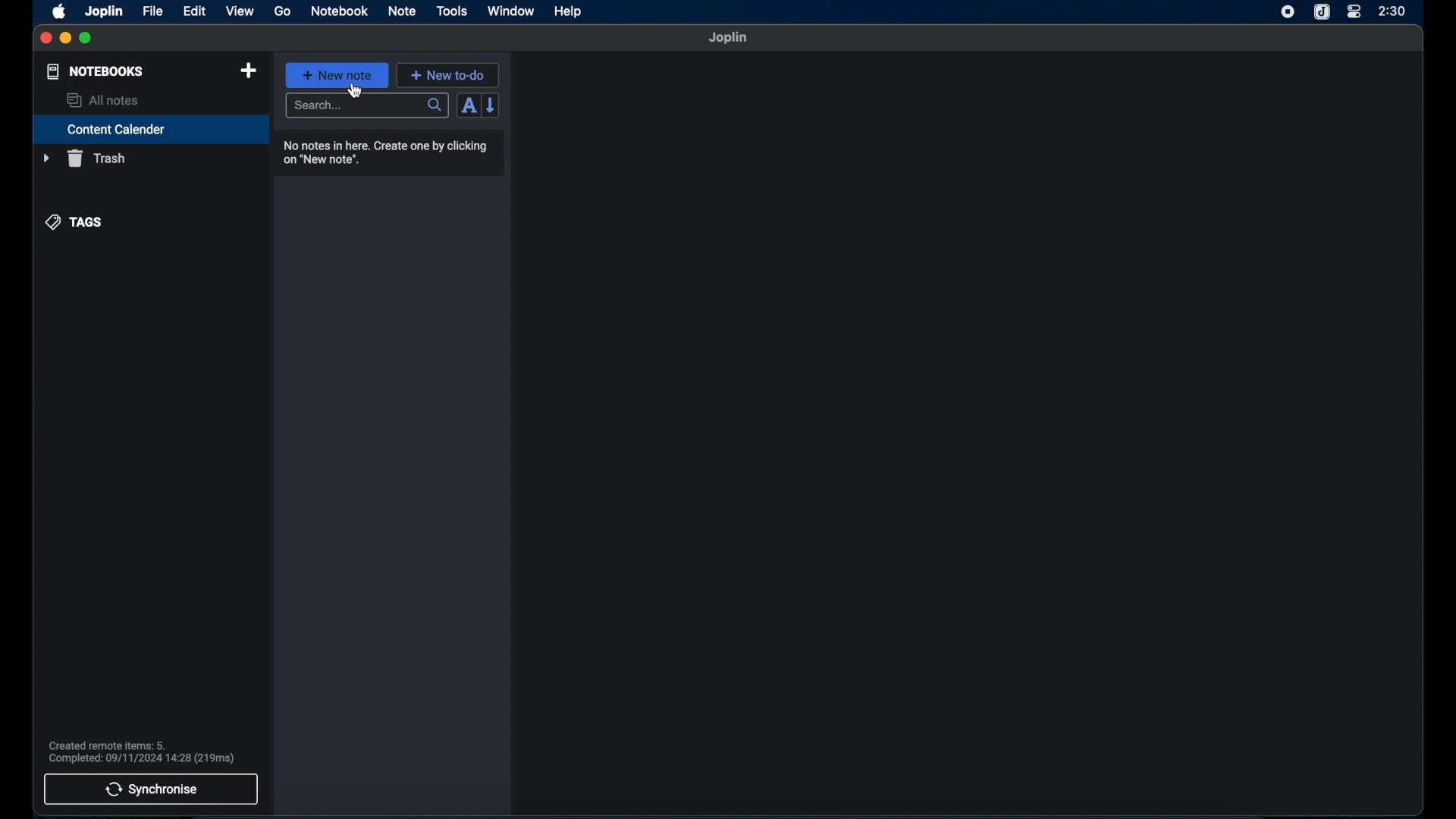 This screenshot has height=819, width=1456. I want to click on search bar, so click(368, 106).